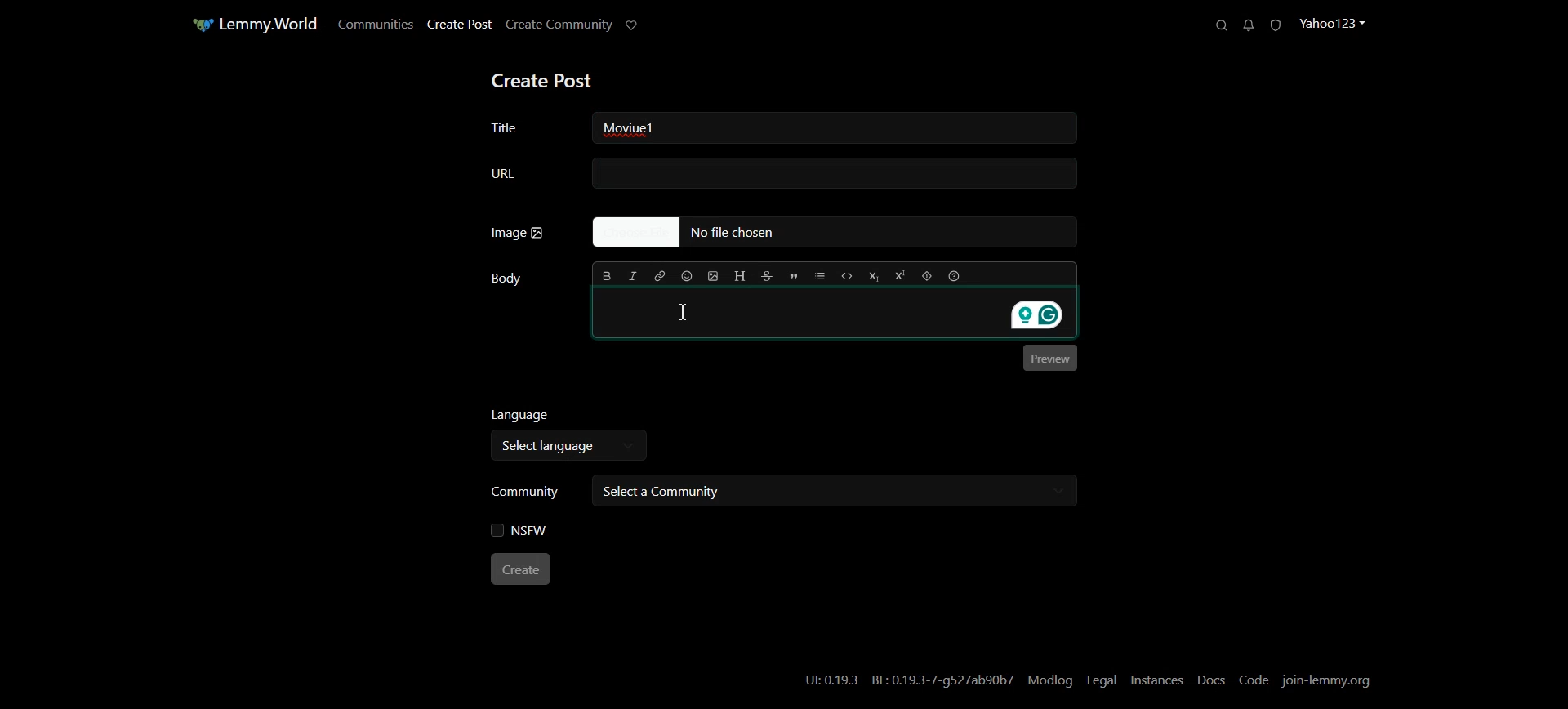 The image size is (1568, 709). I want to click on Search, so click(1217, 25).